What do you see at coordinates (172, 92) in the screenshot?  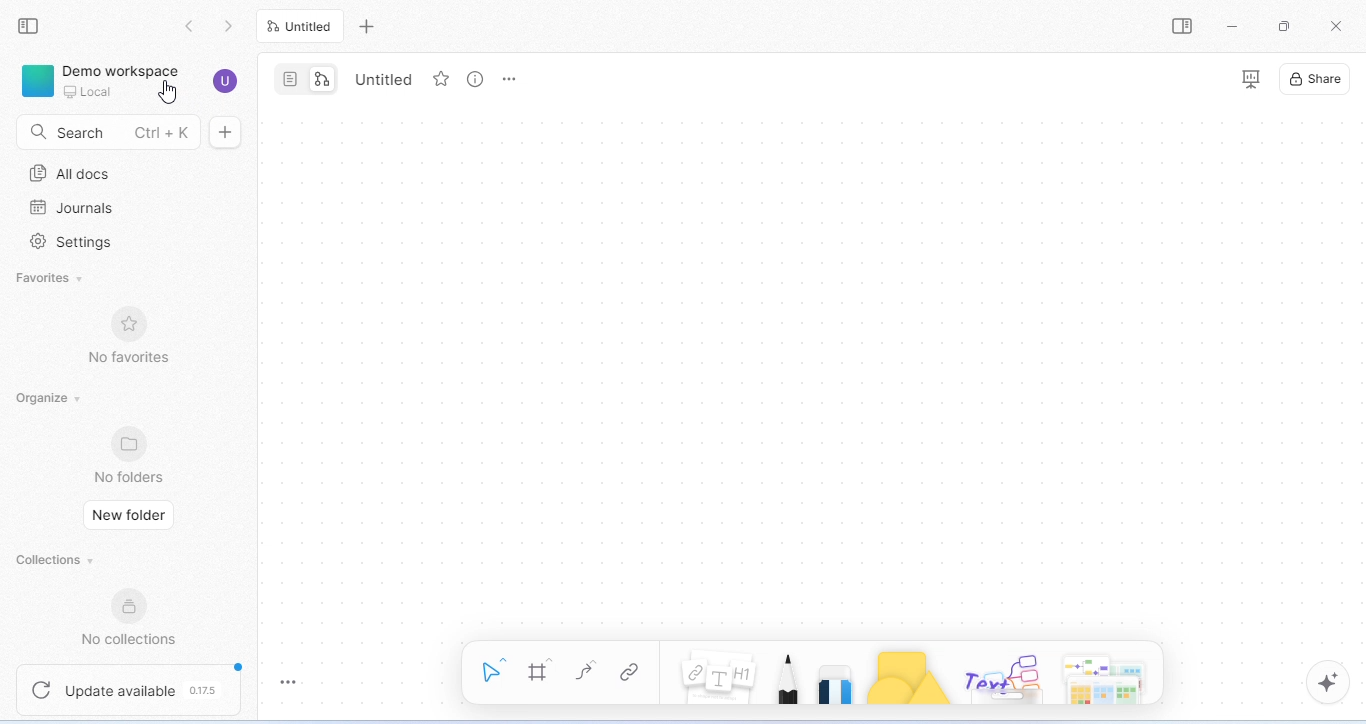 I see `cursor` at bounding box center [172, 92].